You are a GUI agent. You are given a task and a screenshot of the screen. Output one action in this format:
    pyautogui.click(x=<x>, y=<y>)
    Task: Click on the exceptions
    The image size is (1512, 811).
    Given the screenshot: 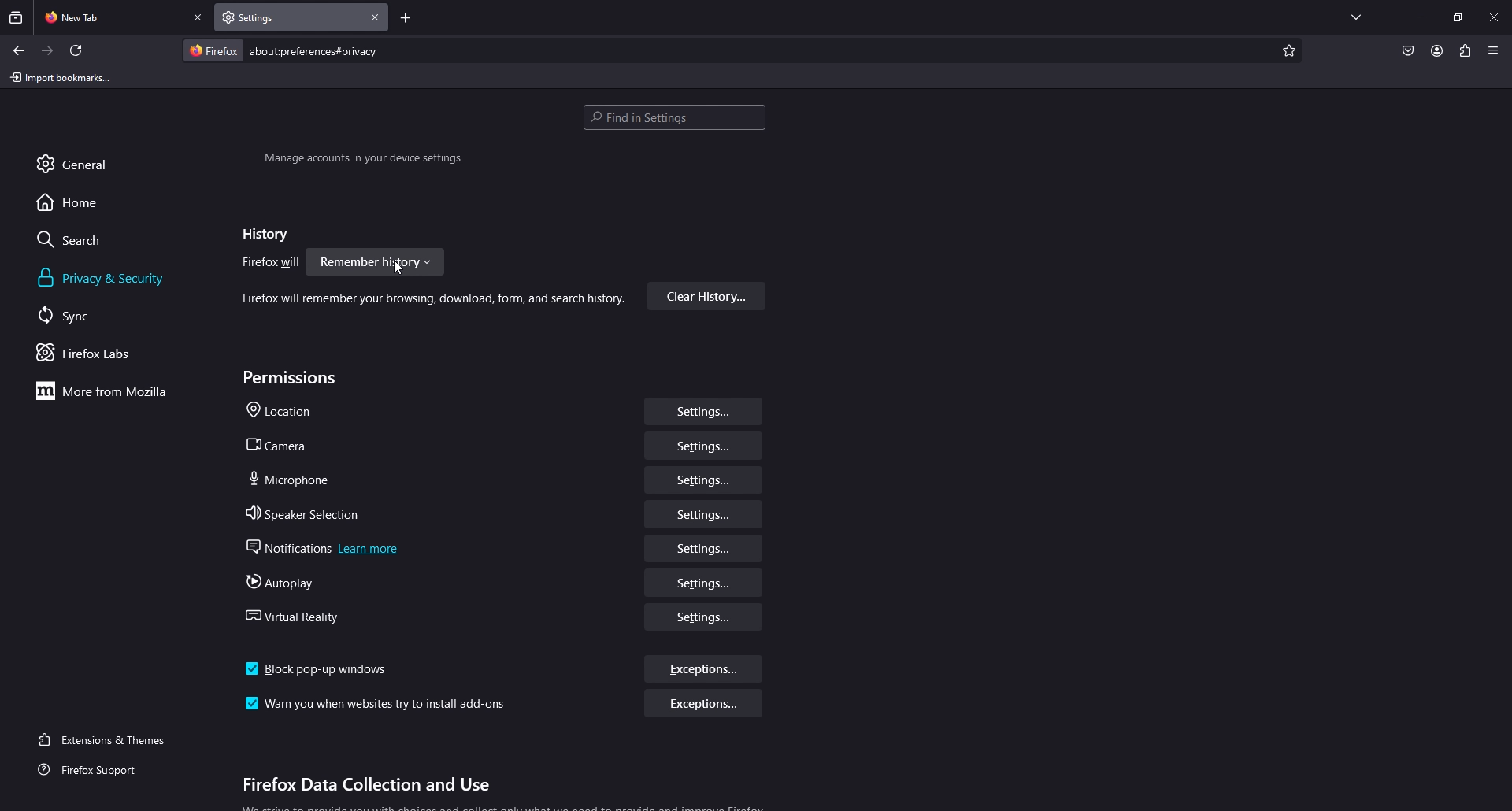 What is the action you would take?
    pyautogui.click(x=706, y=671)
    